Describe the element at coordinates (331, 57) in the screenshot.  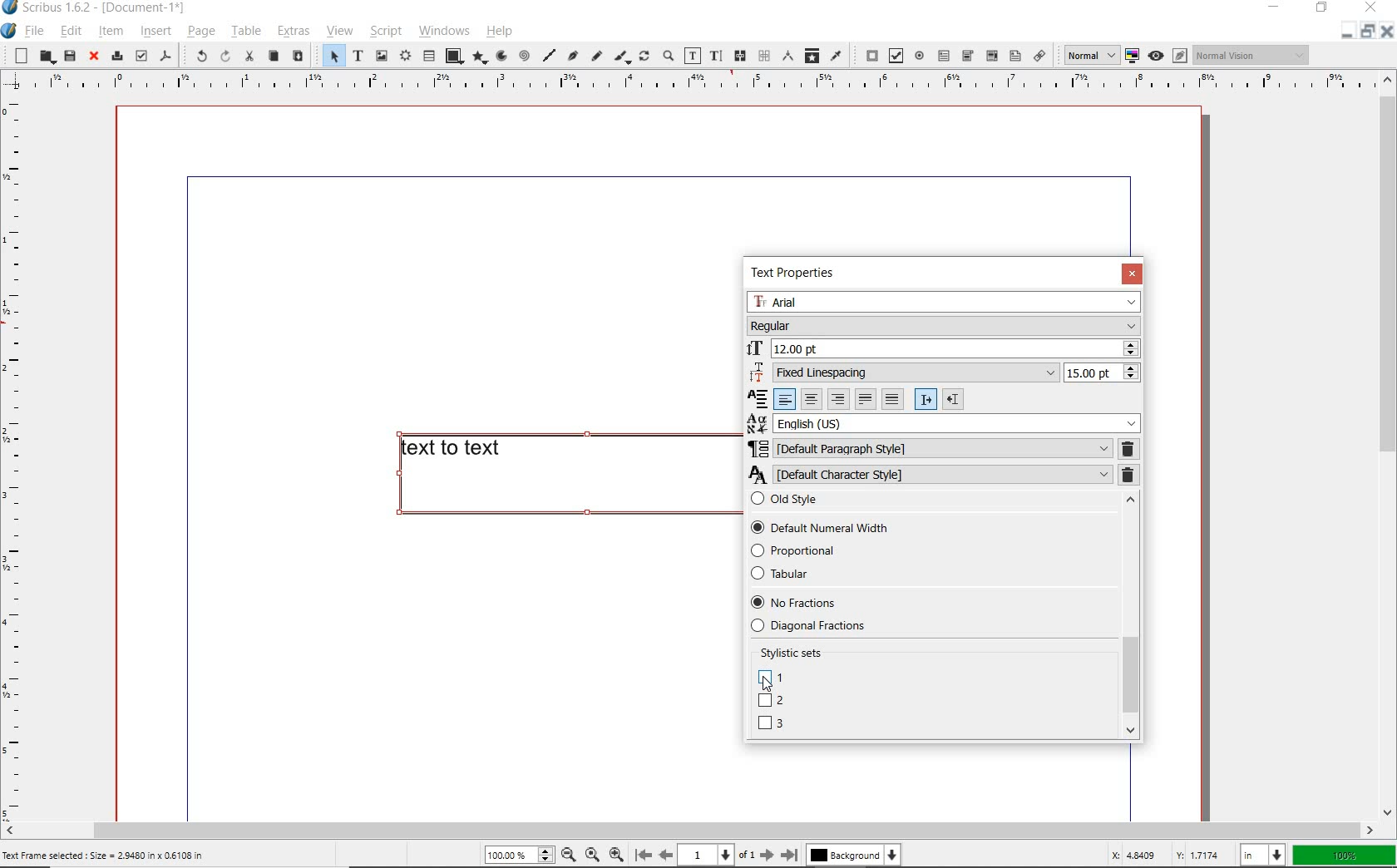
I see `select item` at that location.